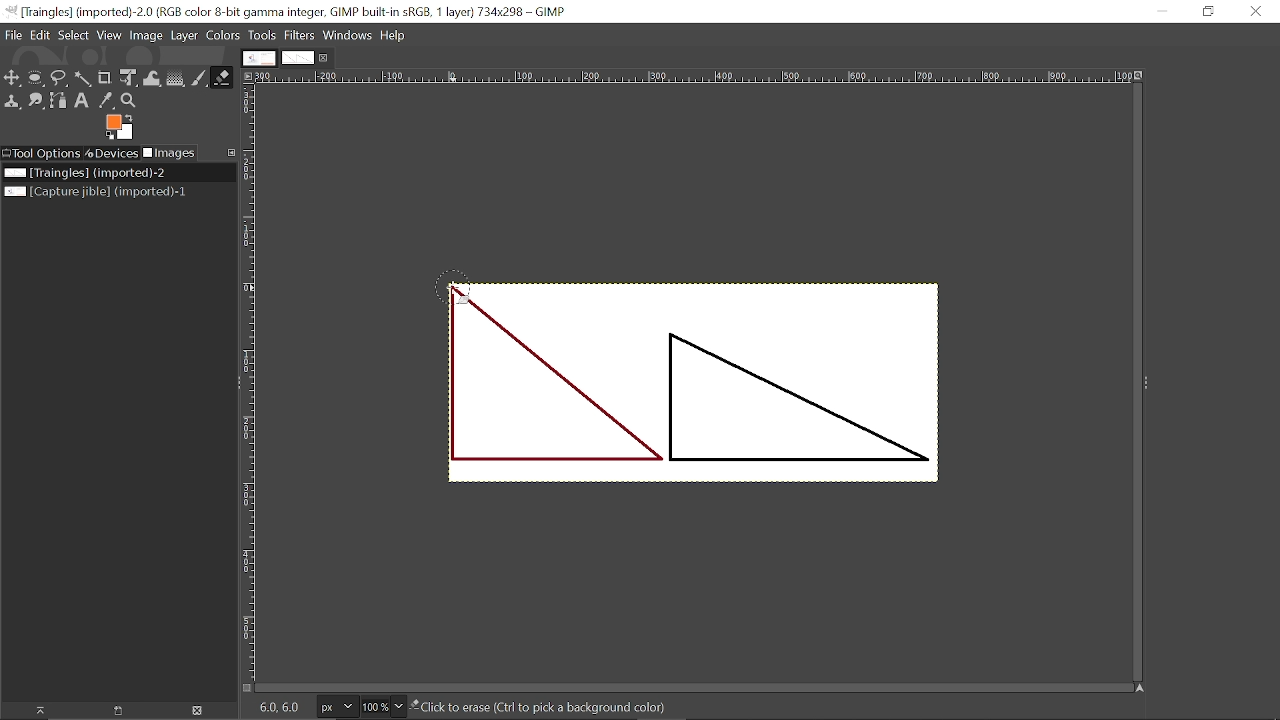  Describe the element at coordinates (199, 78) in the screenshot. I see `Paintbrush tool` at that location.